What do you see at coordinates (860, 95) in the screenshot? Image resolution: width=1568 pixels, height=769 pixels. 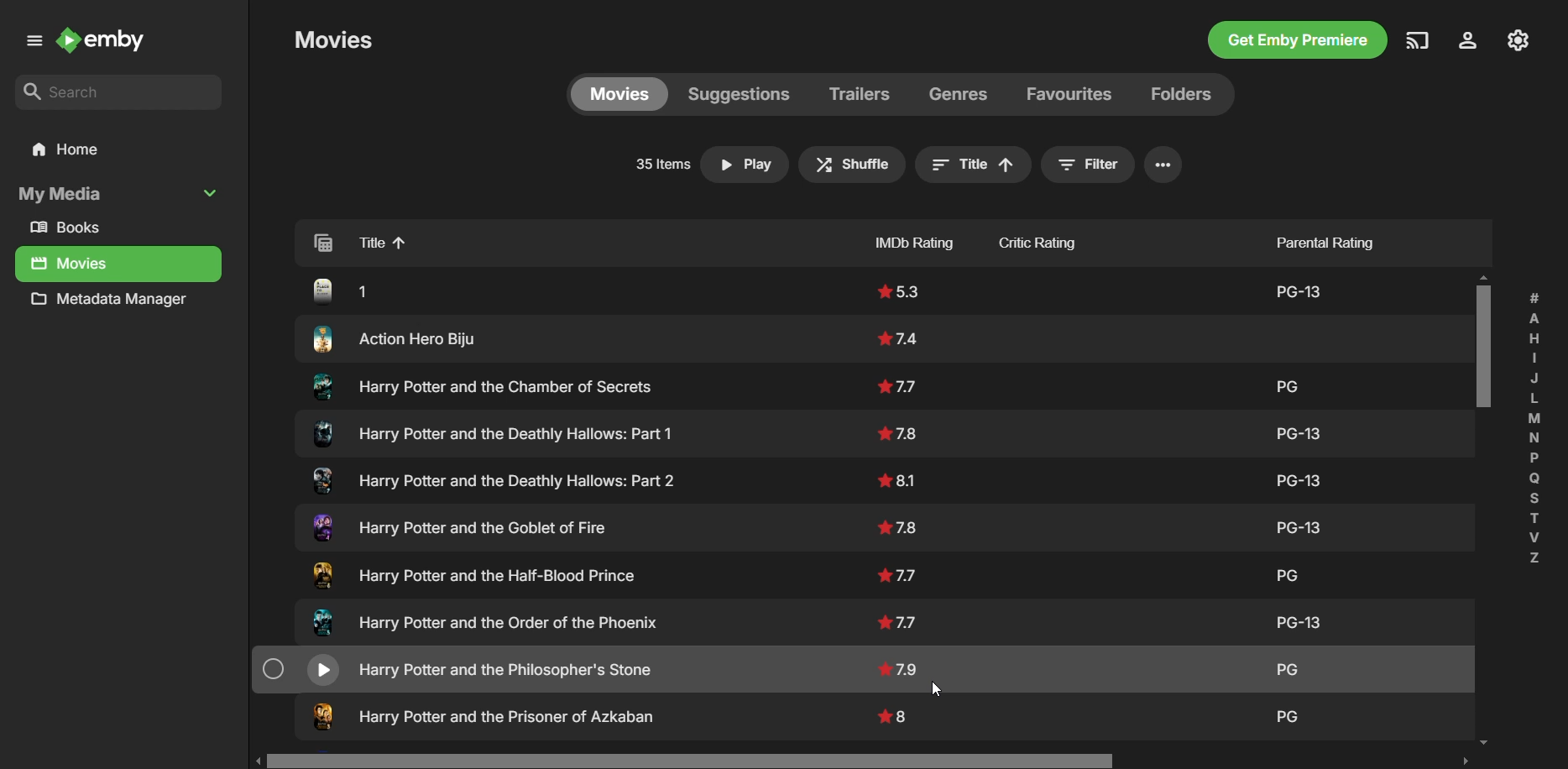 I see `Trailers` at bounding box center [860, 95].